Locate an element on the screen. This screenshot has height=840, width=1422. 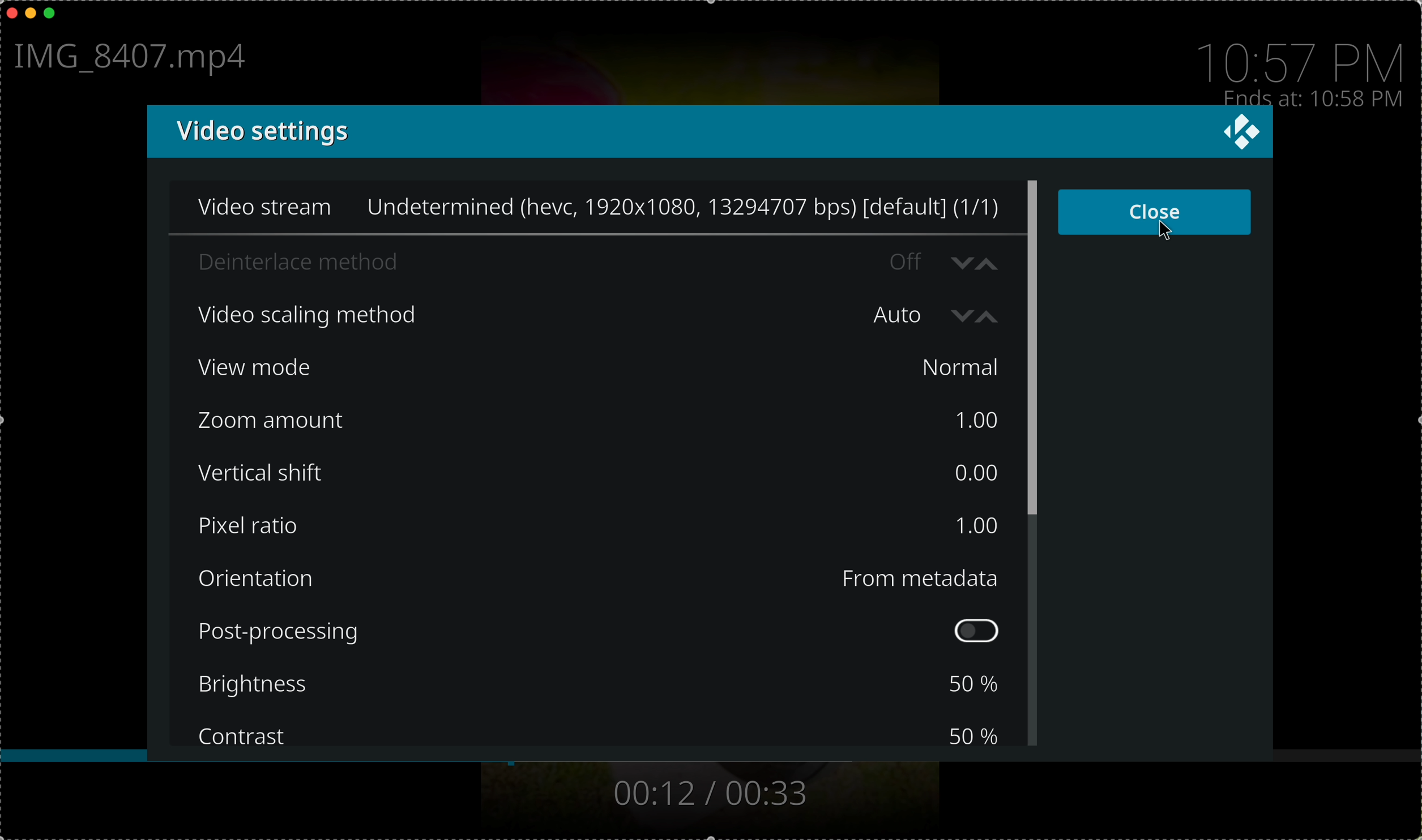
maximize  is located at coordinates (55, 14).